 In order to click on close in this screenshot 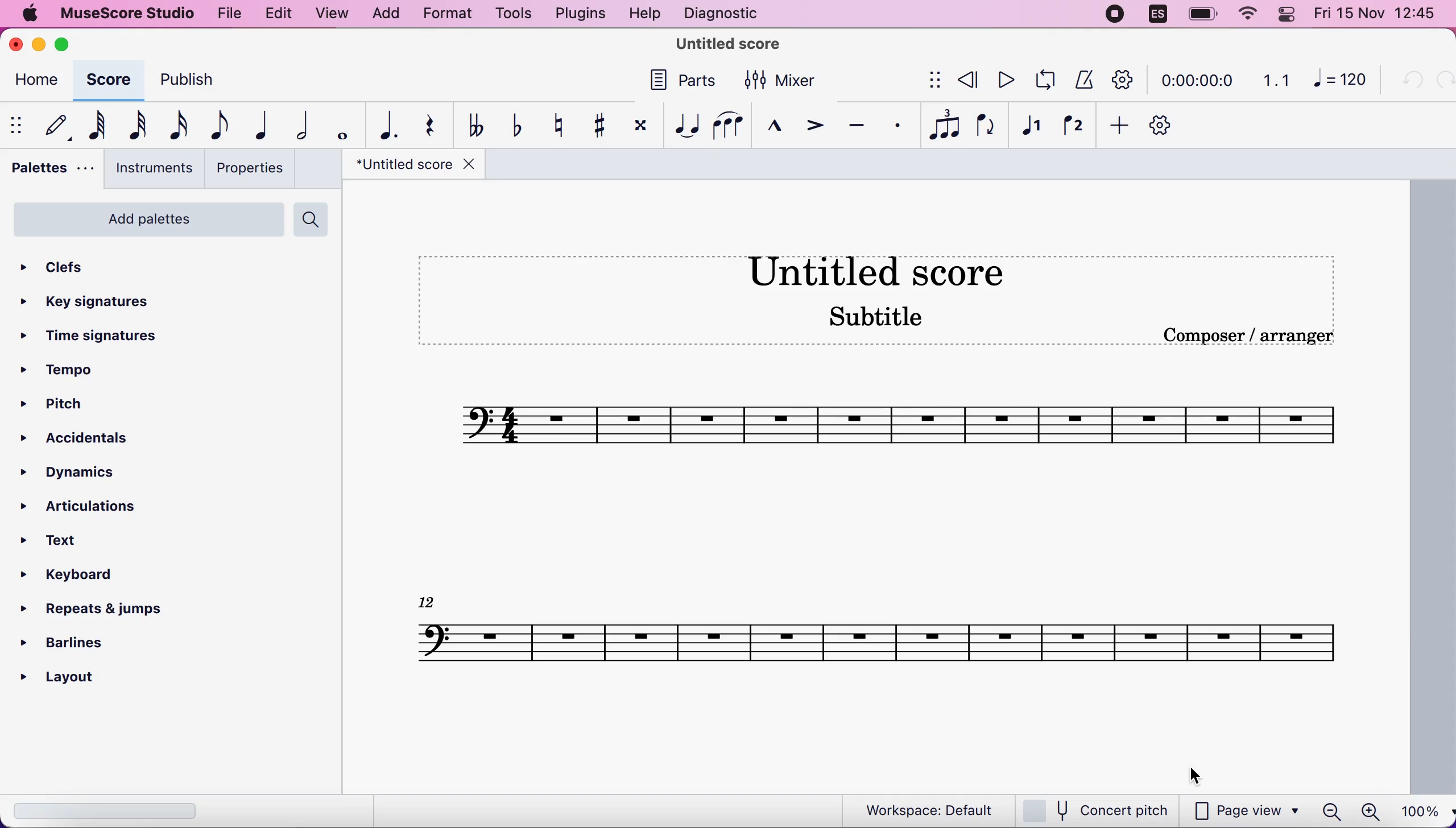, I will do `click(17, 44)`.